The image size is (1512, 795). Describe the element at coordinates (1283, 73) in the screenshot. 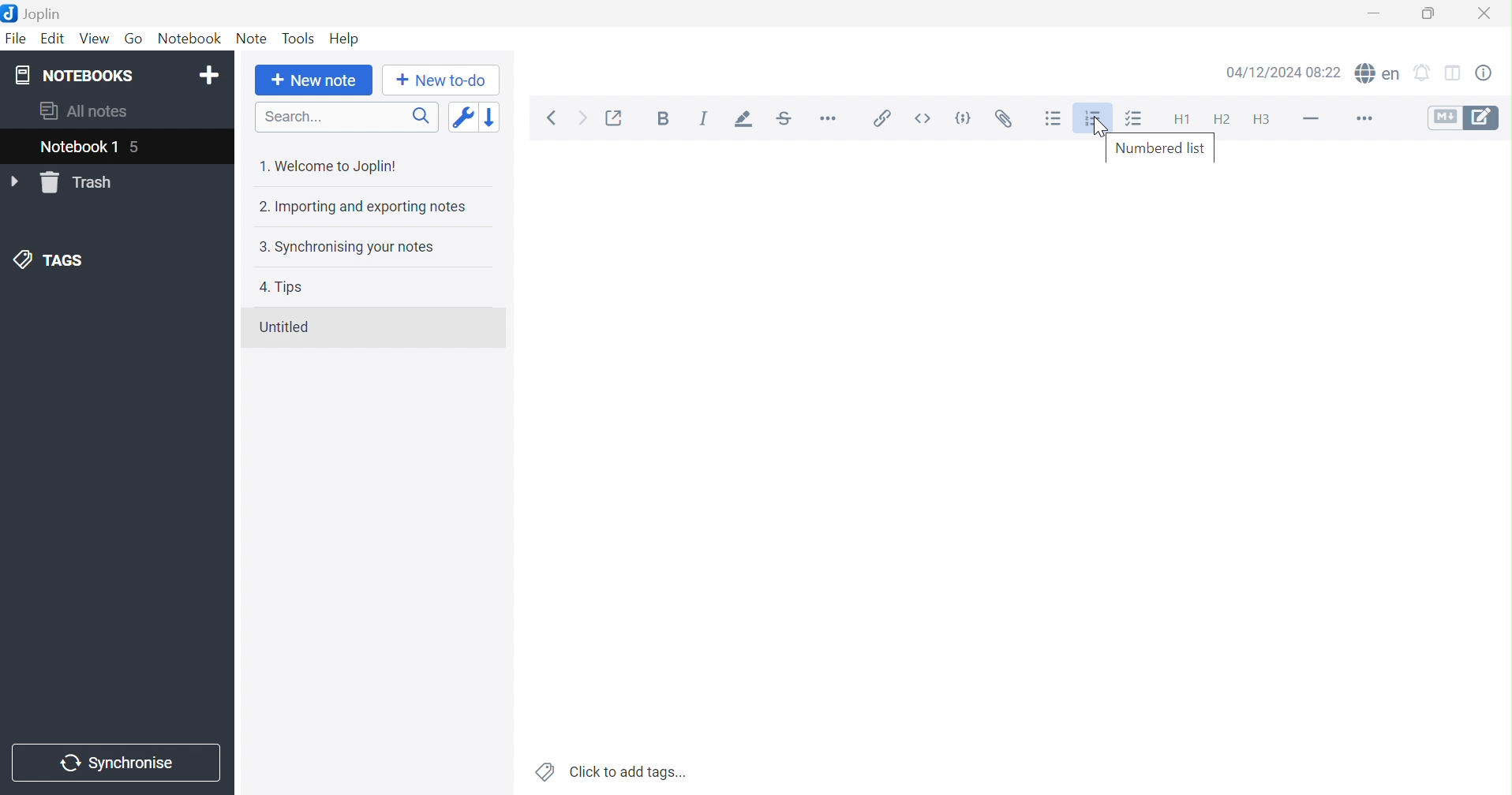

I see `04/12/2024 08:22` at that location.